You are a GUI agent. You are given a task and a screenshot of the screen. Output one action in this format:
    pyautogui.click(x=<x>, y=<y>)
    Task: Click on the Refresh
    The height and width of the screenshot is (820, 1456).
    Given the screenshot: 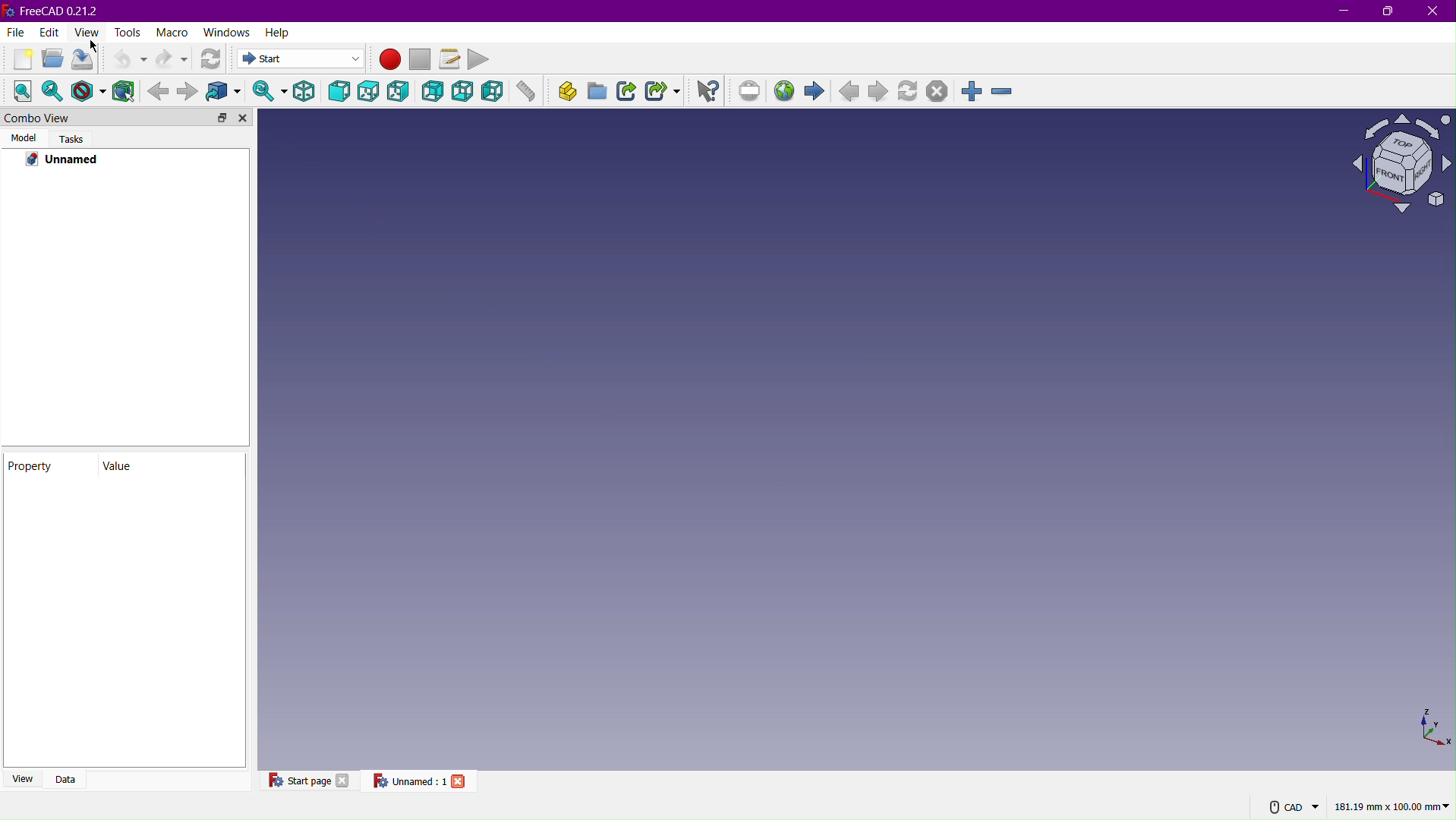 What is the action you would take?
    pyautogui.click(x=215, y=58)
    